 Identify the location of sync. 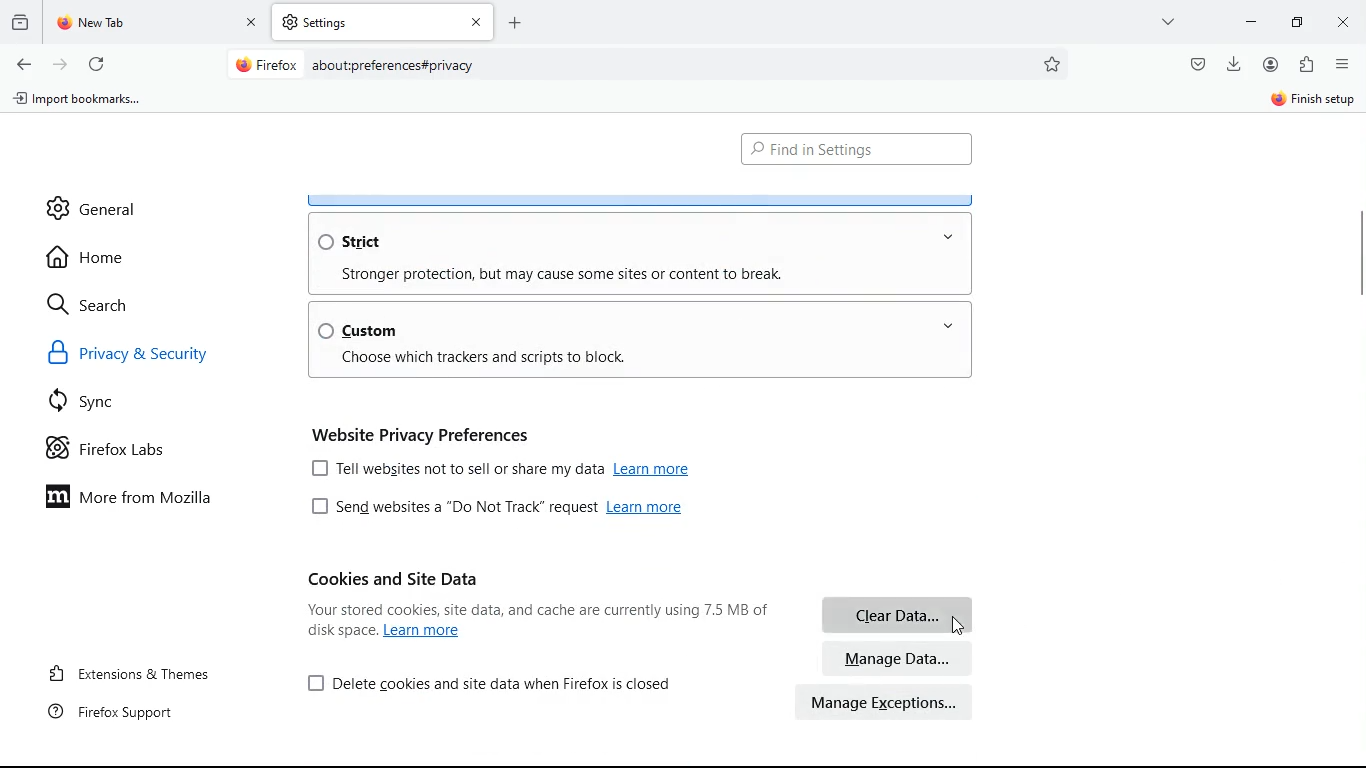
(91, 405).